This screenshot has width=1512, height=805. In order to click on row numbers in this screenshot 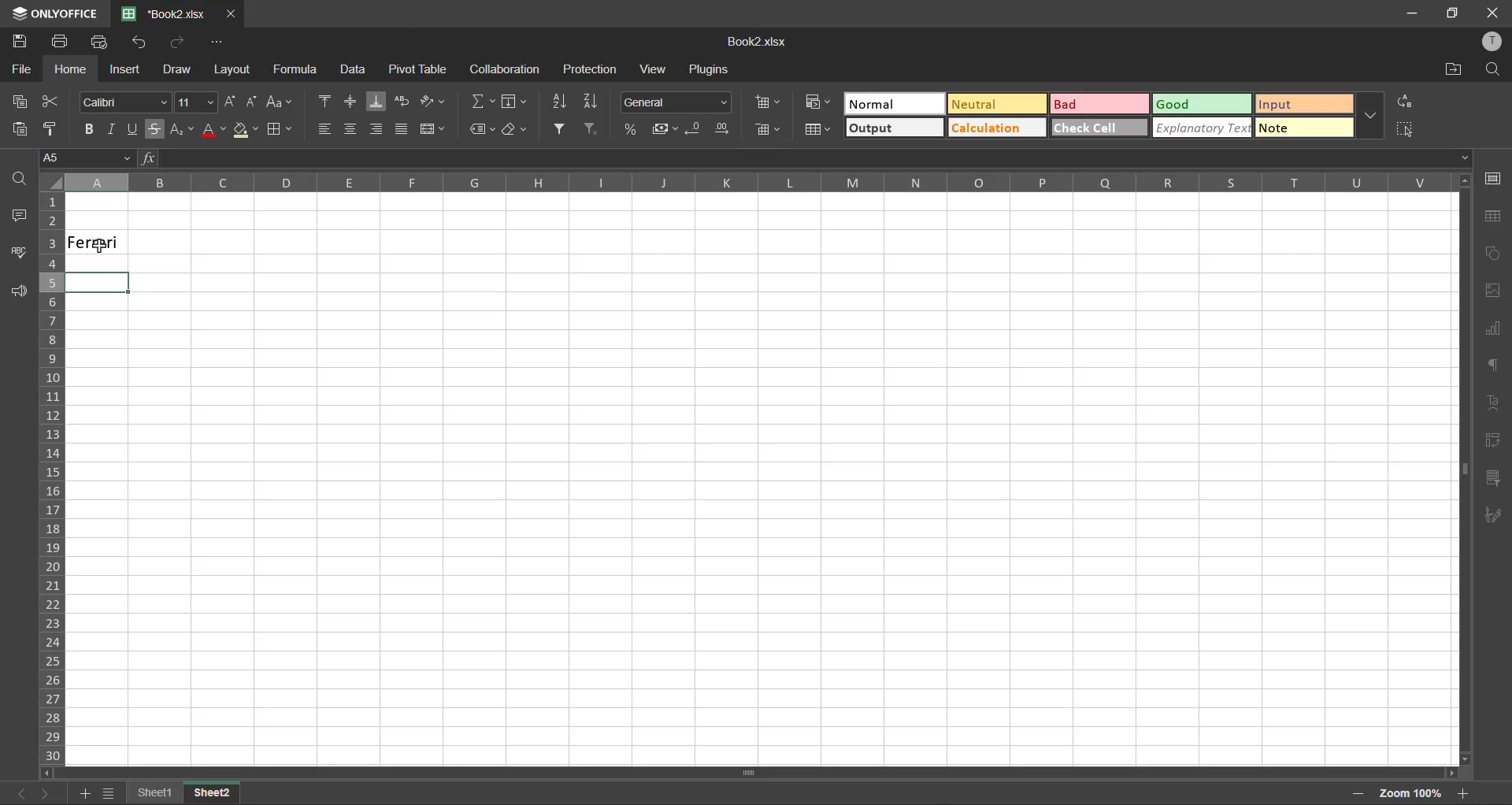, I will do `click(52, 477)`.